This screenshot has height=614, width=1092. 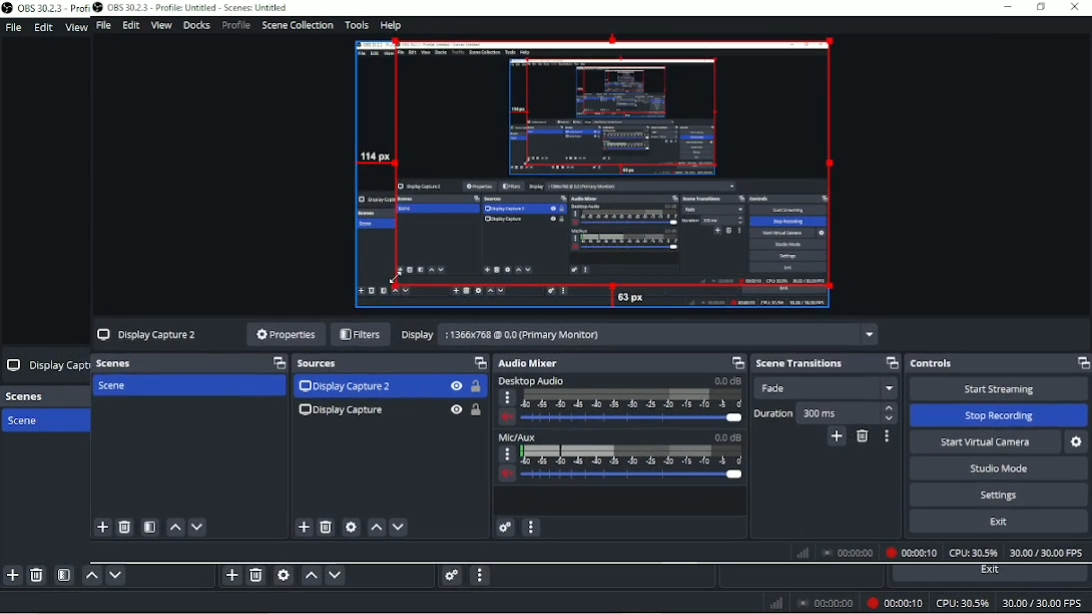 What do you see at coordinates (540, 363) in the screenshot?
I see `Audio Mixer` at bounding box center [540, 363].